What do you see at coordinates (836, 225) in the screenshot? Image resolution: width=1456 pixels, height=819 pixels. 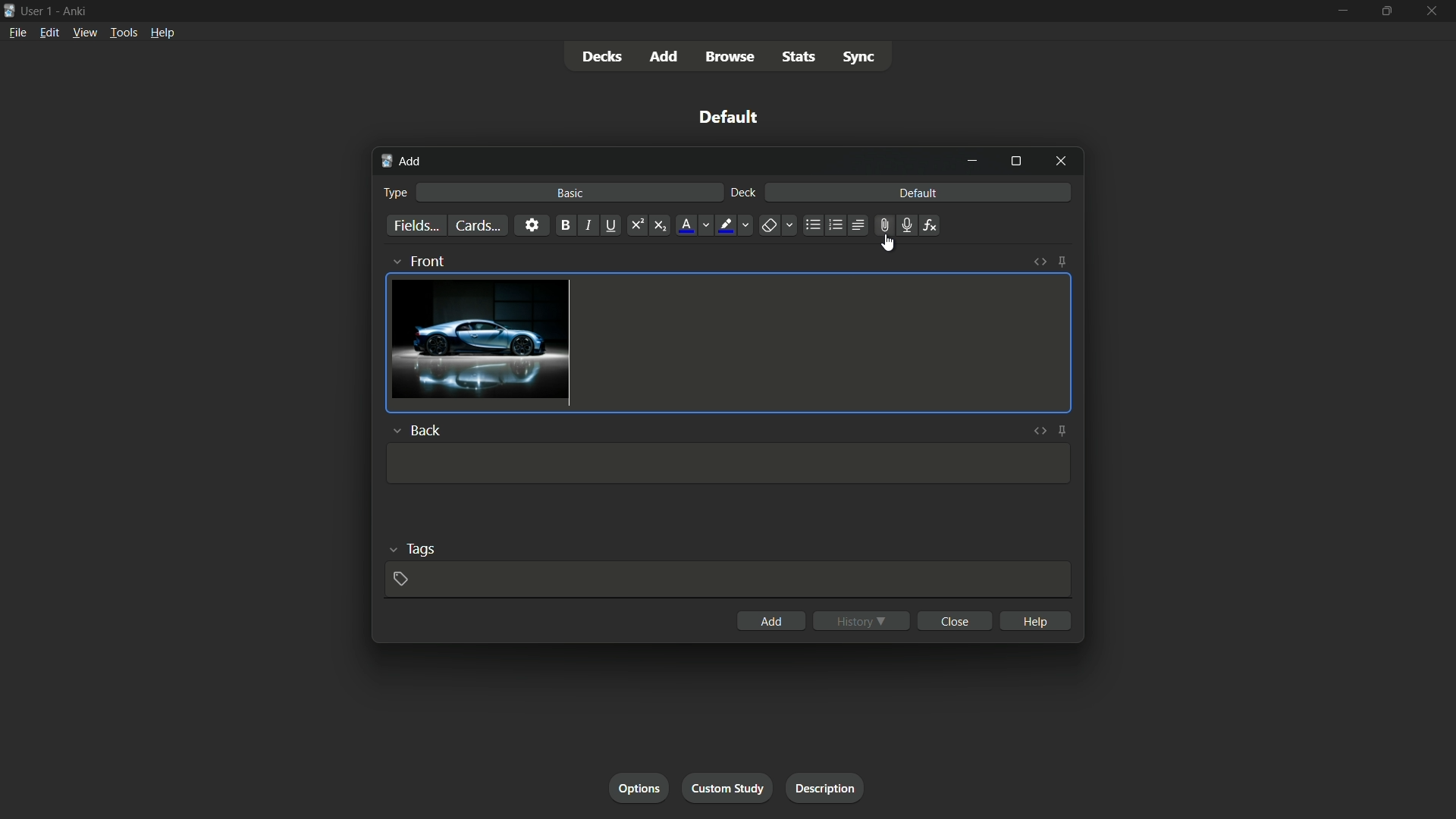 I see `previous location` at bounding box center [836, 225].